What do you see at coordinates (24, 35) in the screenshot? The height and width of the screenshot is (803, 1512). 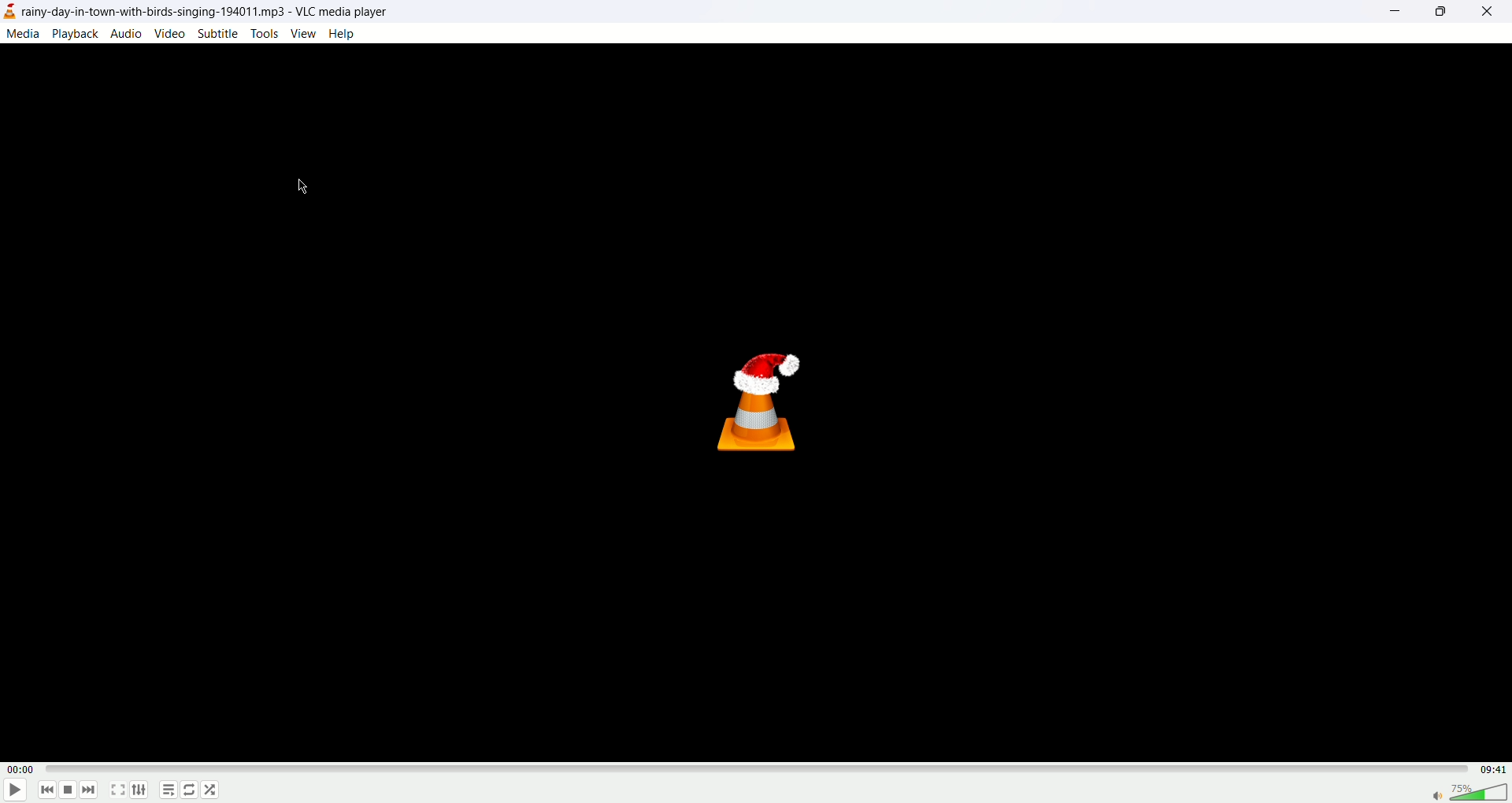 I see `media` at bounding box center [24, 35].